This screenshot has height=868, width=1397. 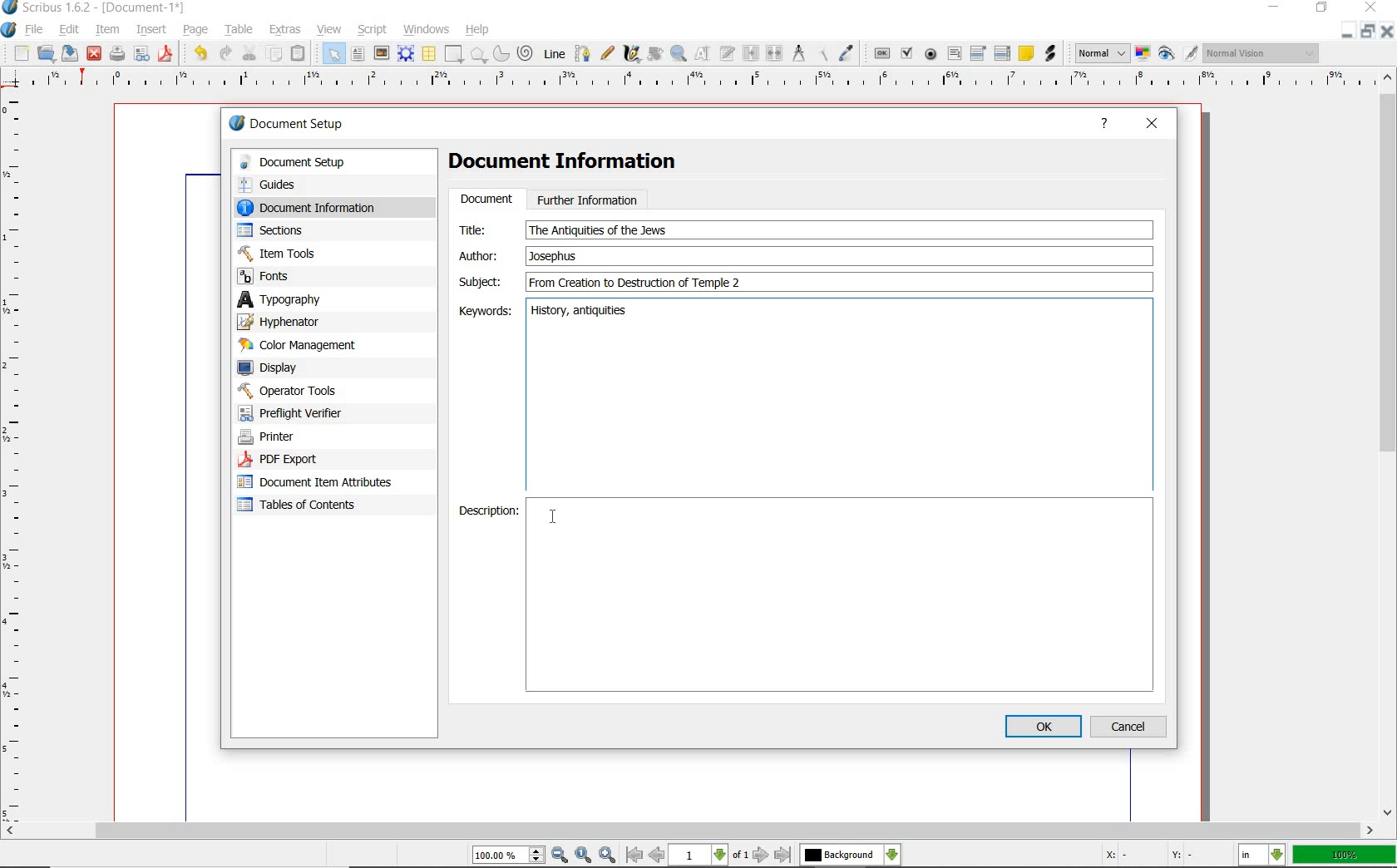 I want to click on typography, so click(x=303, y=299).